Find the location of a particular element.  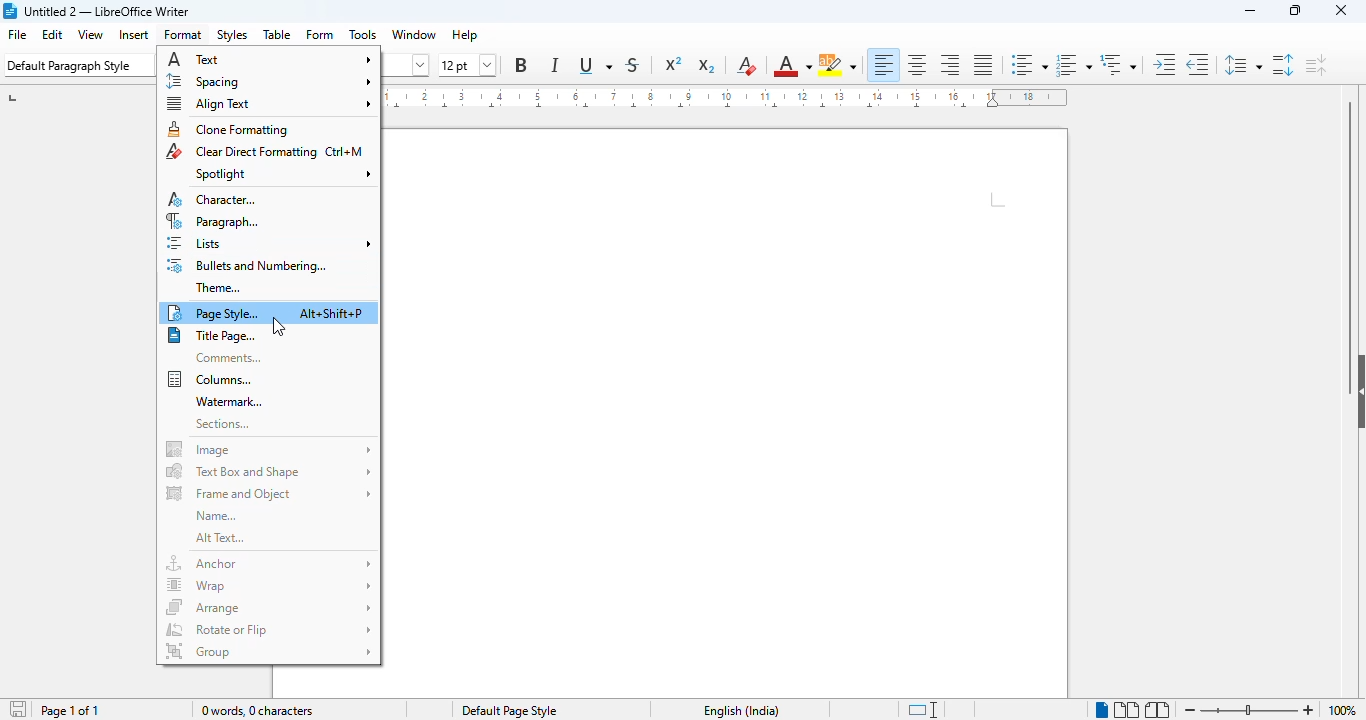

align text is located at coordinates (269, 104).